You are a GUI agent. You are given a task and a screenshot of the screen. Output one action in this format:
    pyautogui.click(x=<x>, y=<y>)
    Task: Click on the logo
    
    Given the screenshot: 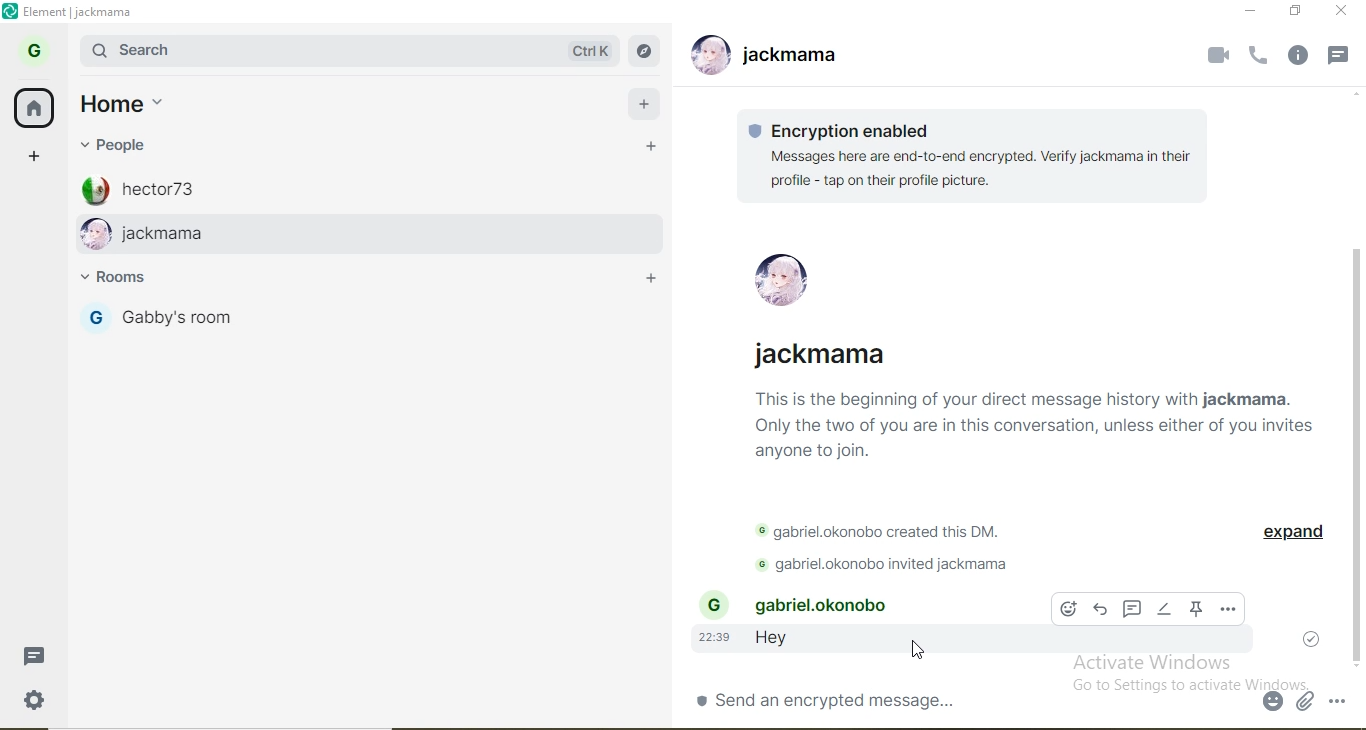 What is the action you would take?
    pyautogui.click(x=10, y=14)
    